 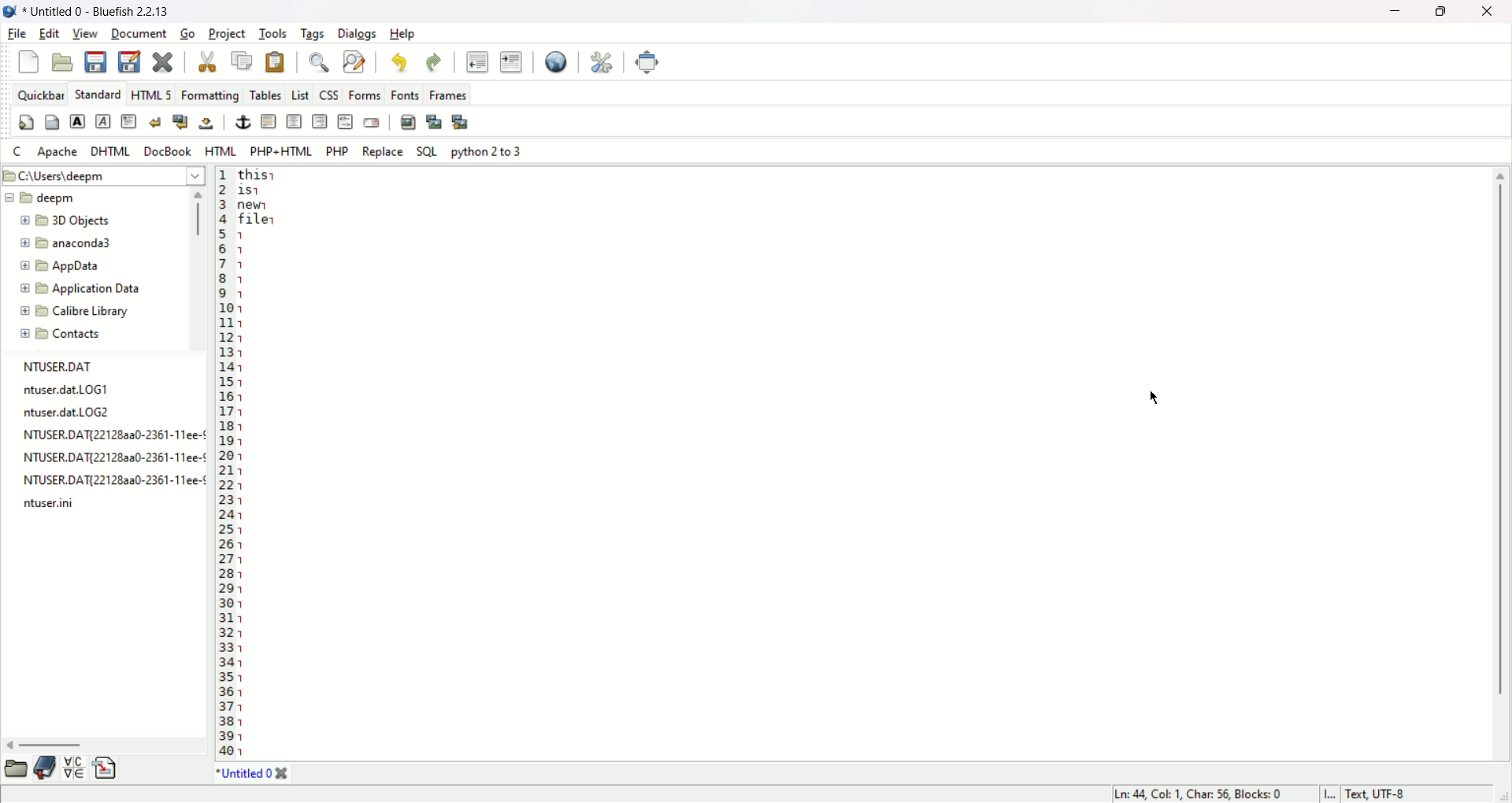 I want to click on cut, so click(x=206, y=62).